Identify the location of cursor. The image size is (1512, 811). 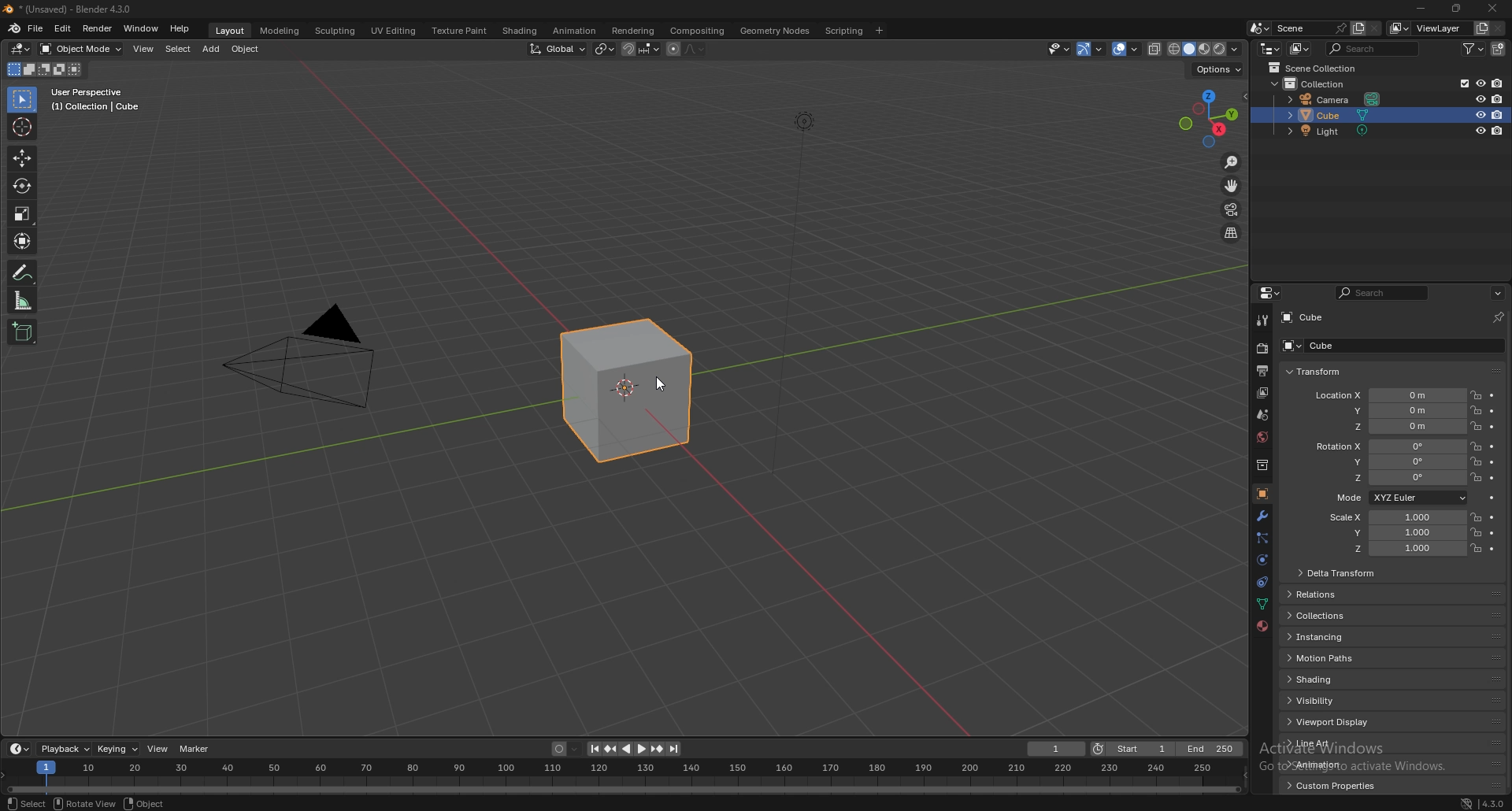
(21, 127).